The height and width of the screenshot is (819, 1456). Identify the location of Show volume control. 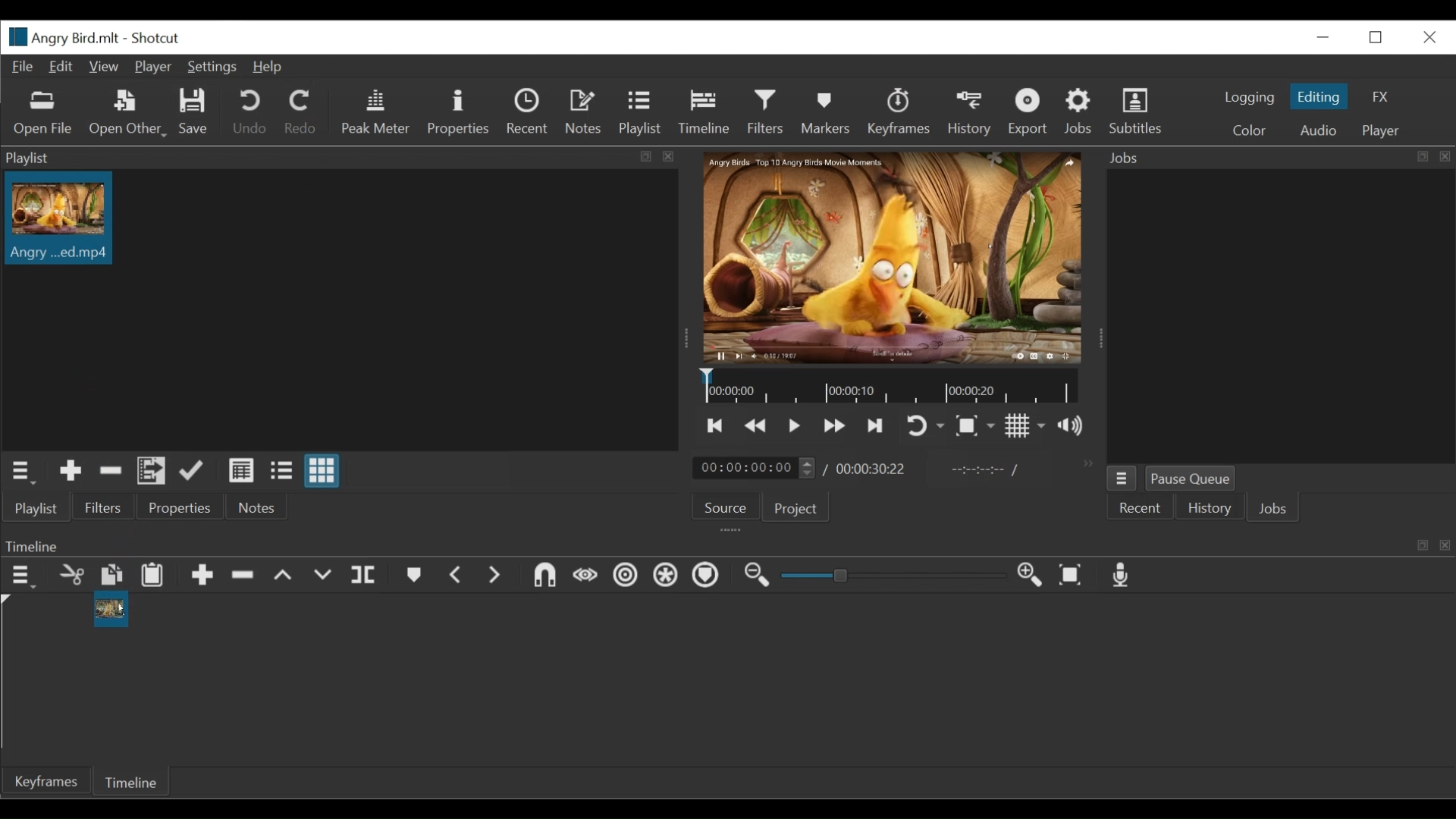
(1070, 425).